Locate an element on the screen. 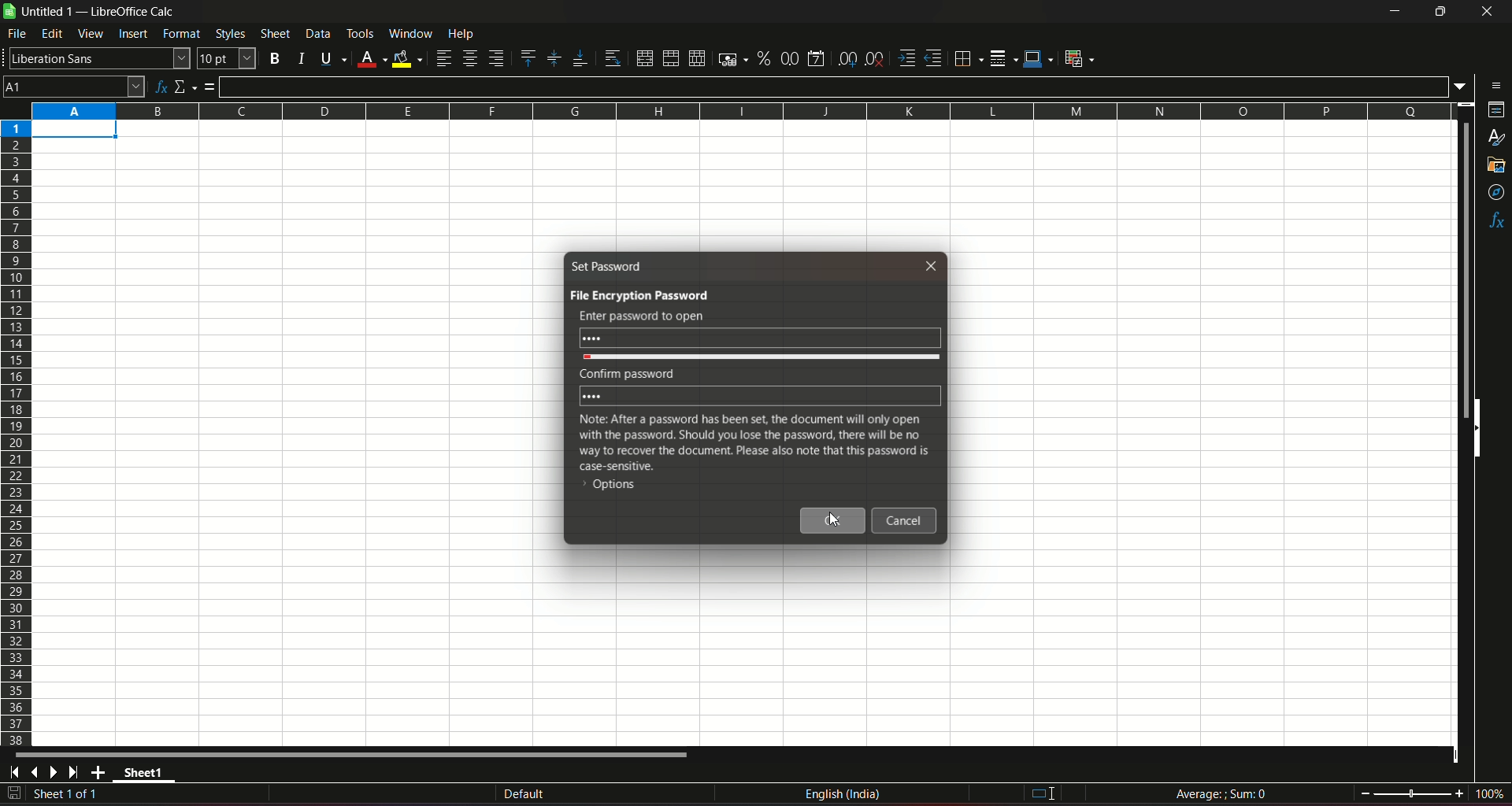 This screenshot has width=1512, height=806. align right is located at coordinates (497, 59).